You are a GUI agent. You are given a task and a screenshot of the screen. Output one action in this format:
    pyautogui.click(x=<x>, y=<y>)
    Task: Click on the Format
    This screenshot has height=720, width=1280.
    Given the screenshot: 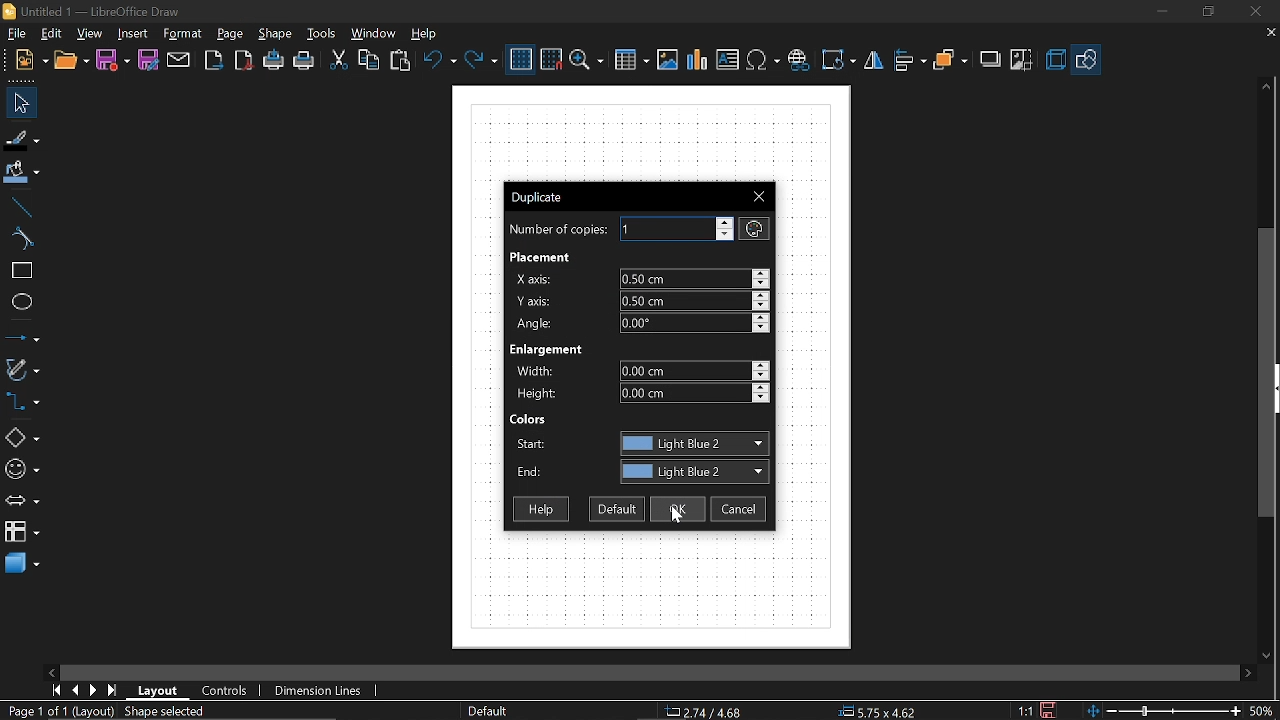 What is the action you would take?
    pyautogui.click(x=182, y=35)
    